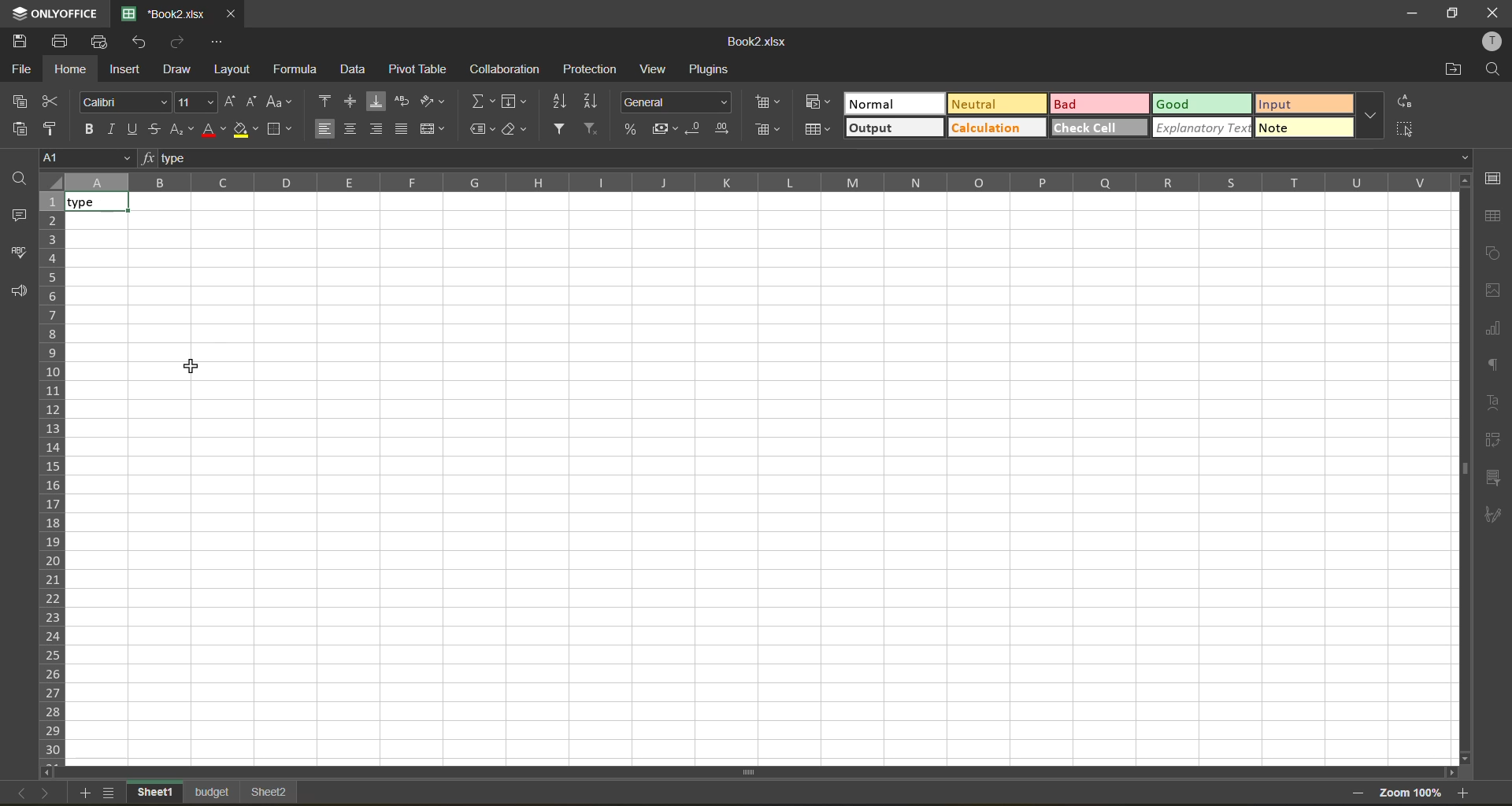 The height and width of the screenshot is (806, 1512). I want to click on back, so click(17, 793).